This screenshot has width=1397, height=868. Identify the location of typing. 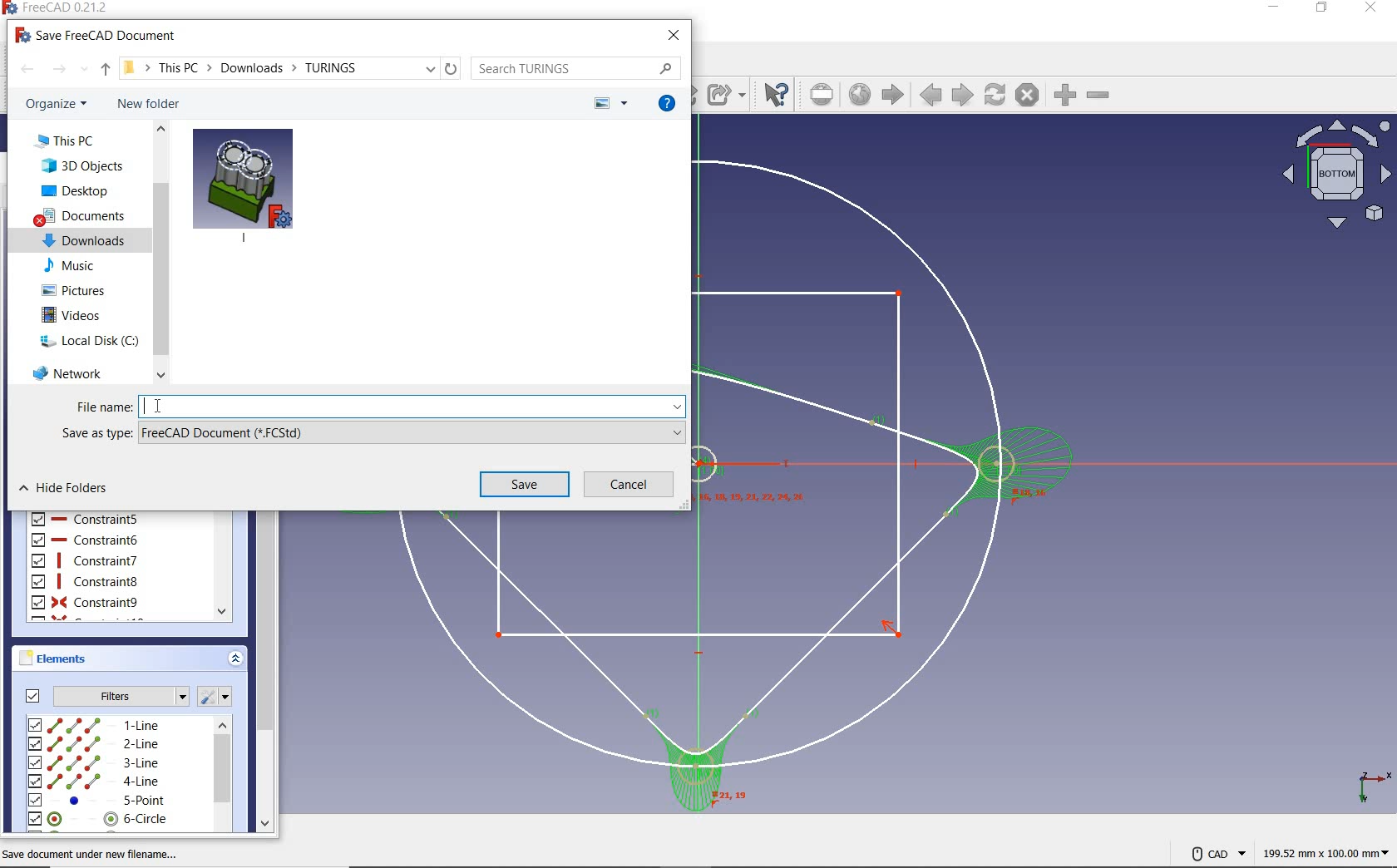
(412, 406).